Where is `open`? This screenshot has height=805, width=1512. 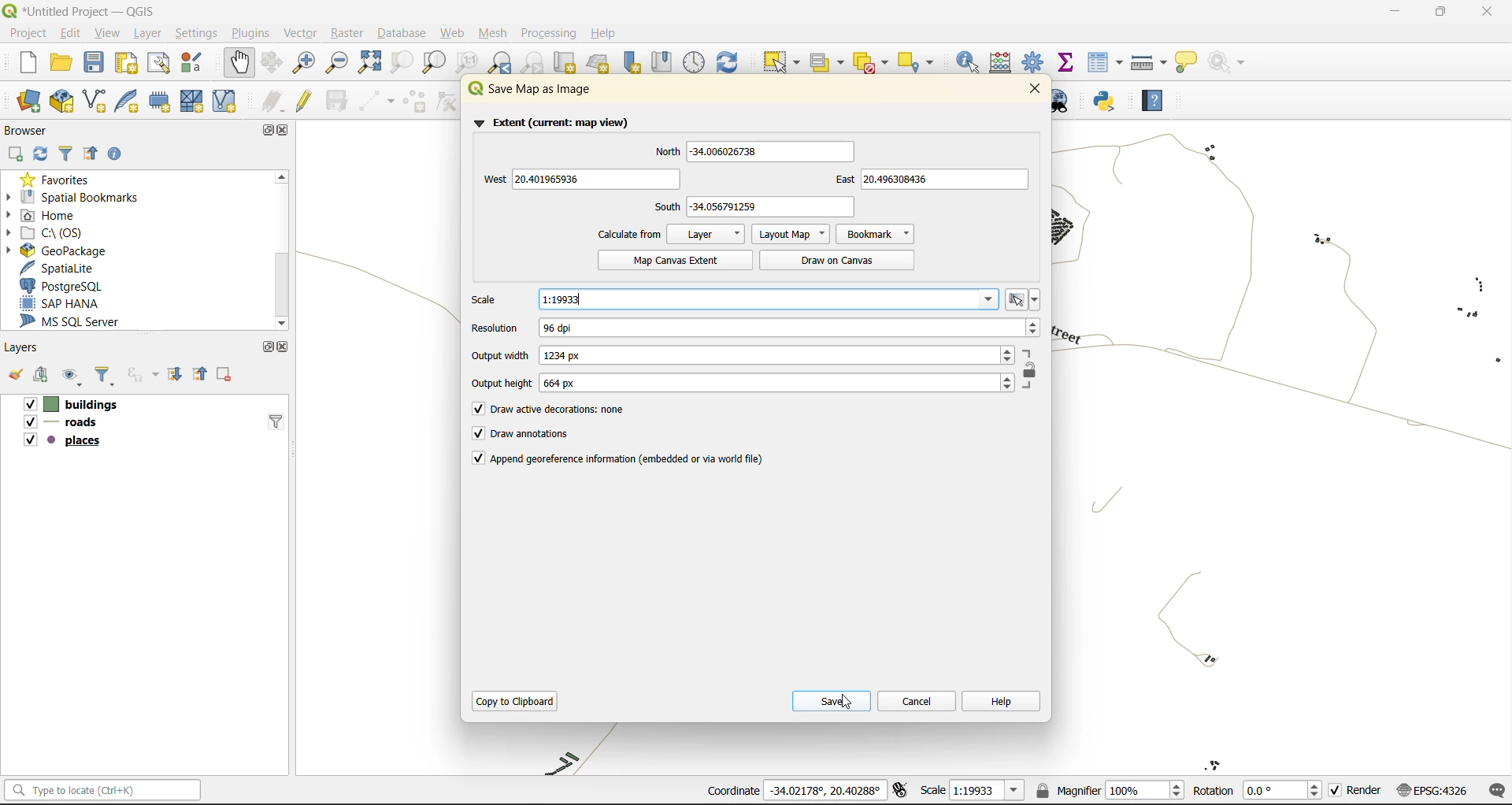
open is located at coordinates (61, 61).